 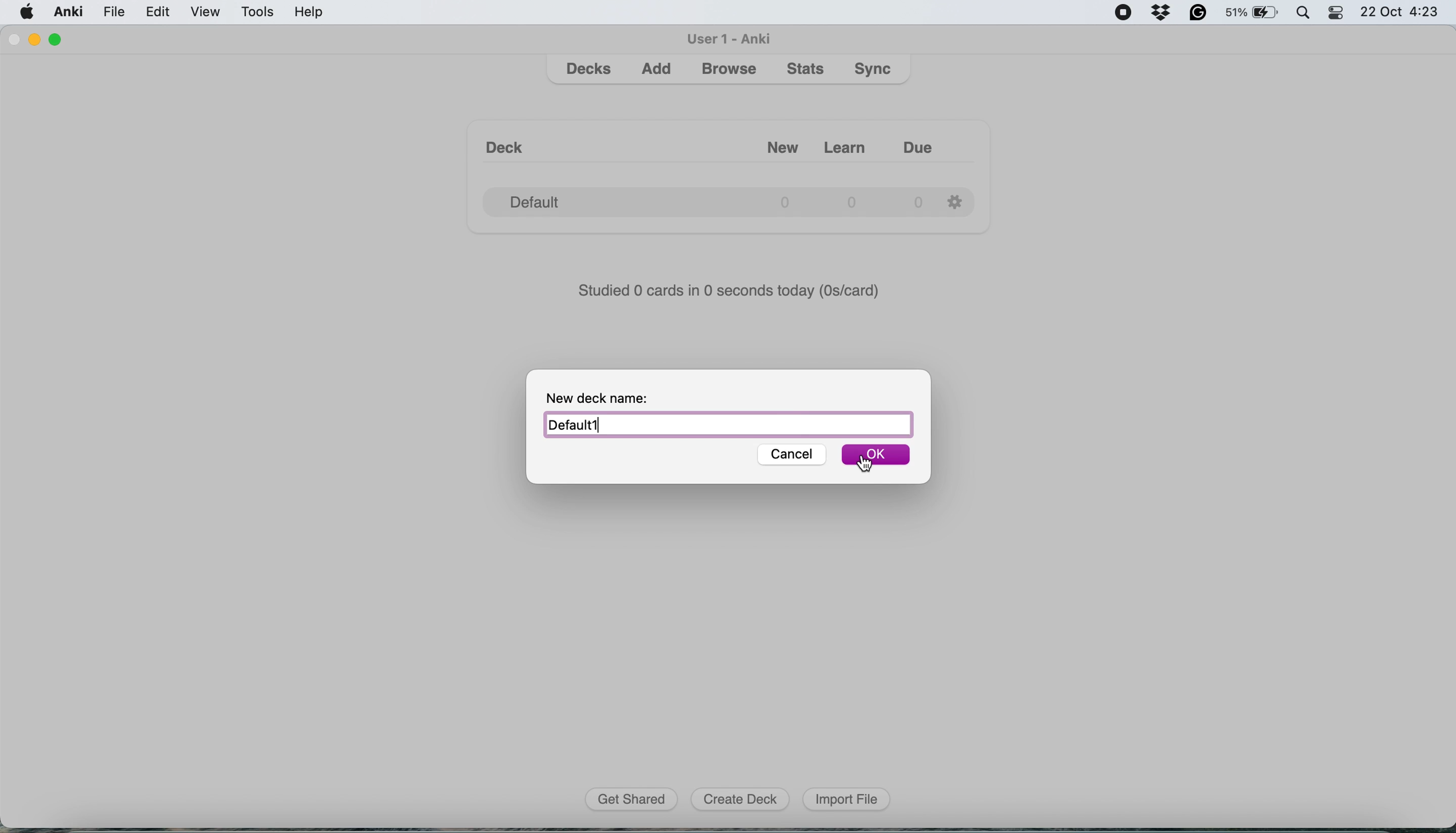 What do you see at coordinates (729, 70) in the screenshot?
I see `browse` at bounding box center [729, 70].